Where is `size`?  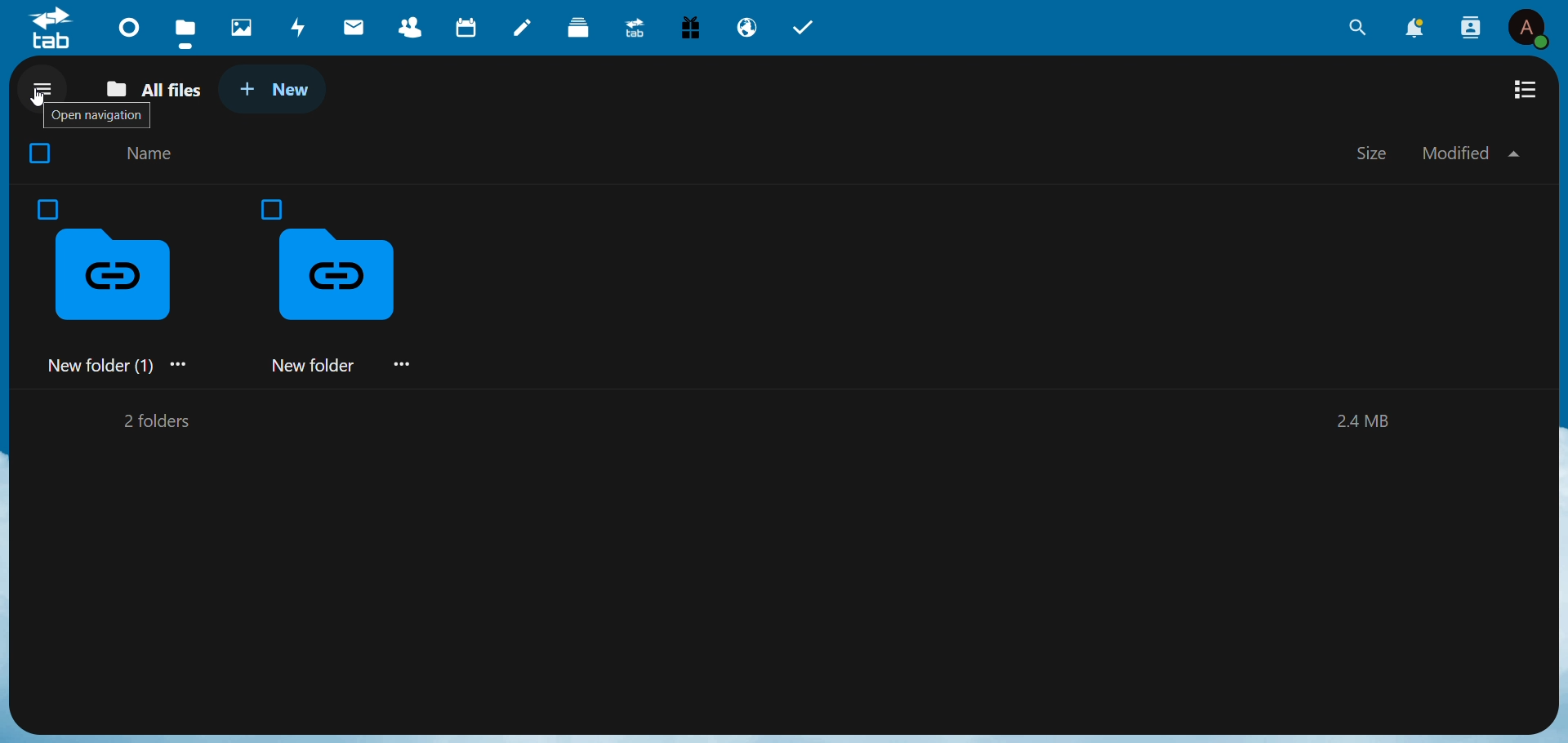
size is located at coordinates (1374, 151).